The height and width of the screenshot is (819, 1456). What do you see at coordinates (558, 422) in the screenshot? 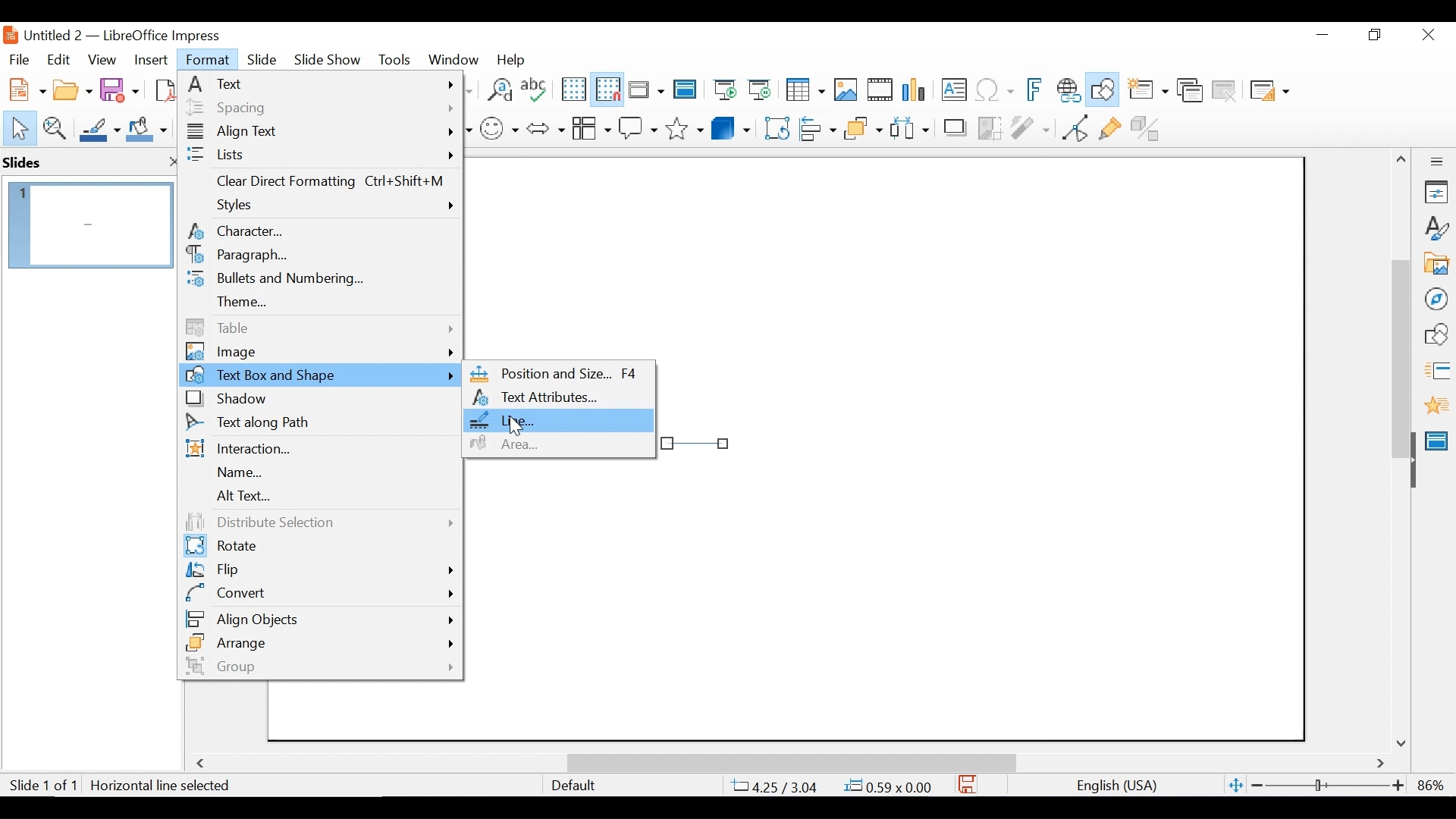
I see `Line` at bounding box center [558, 422].